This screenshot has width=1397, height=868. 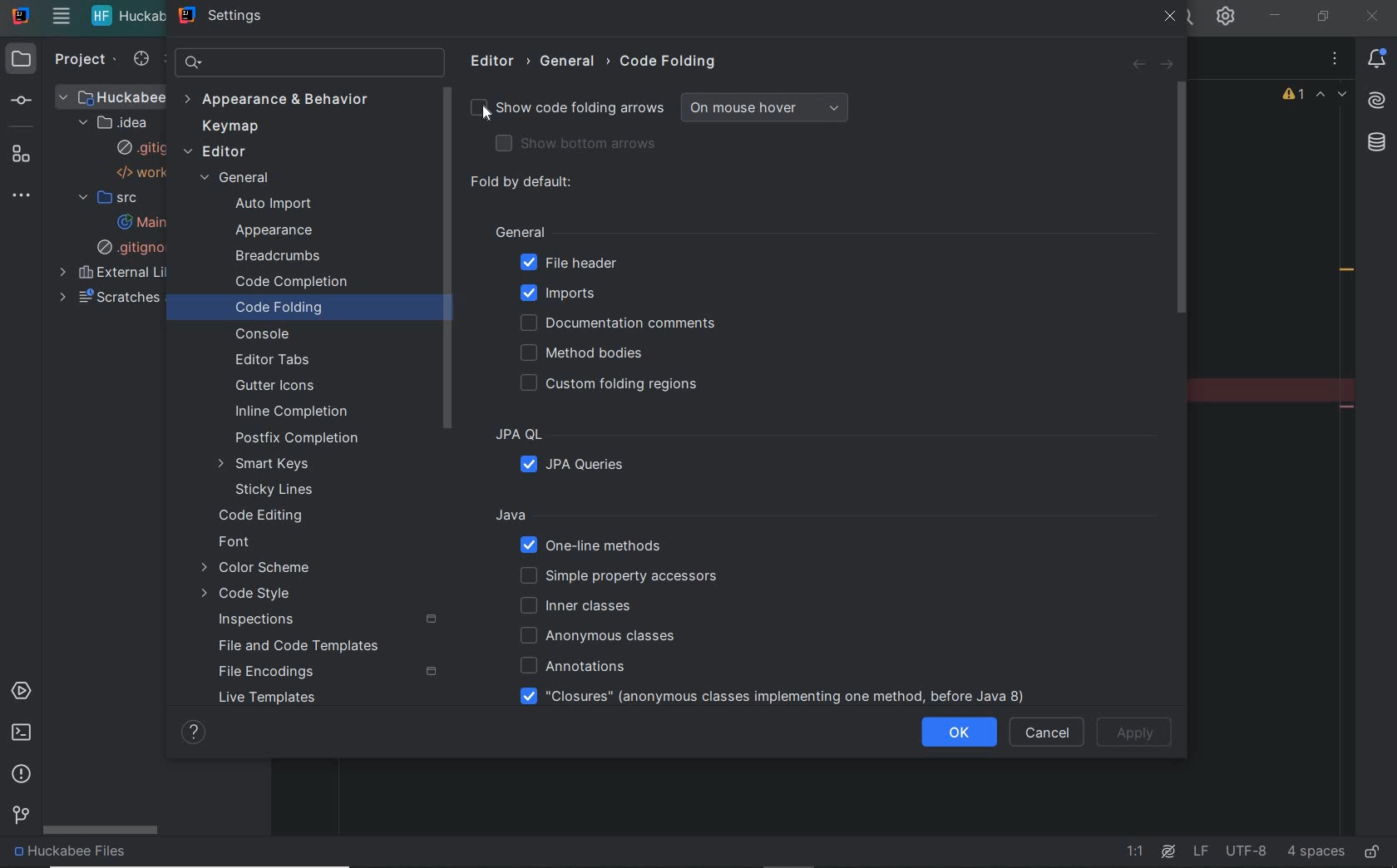 I want to click on general, so click(x=578, y=62).